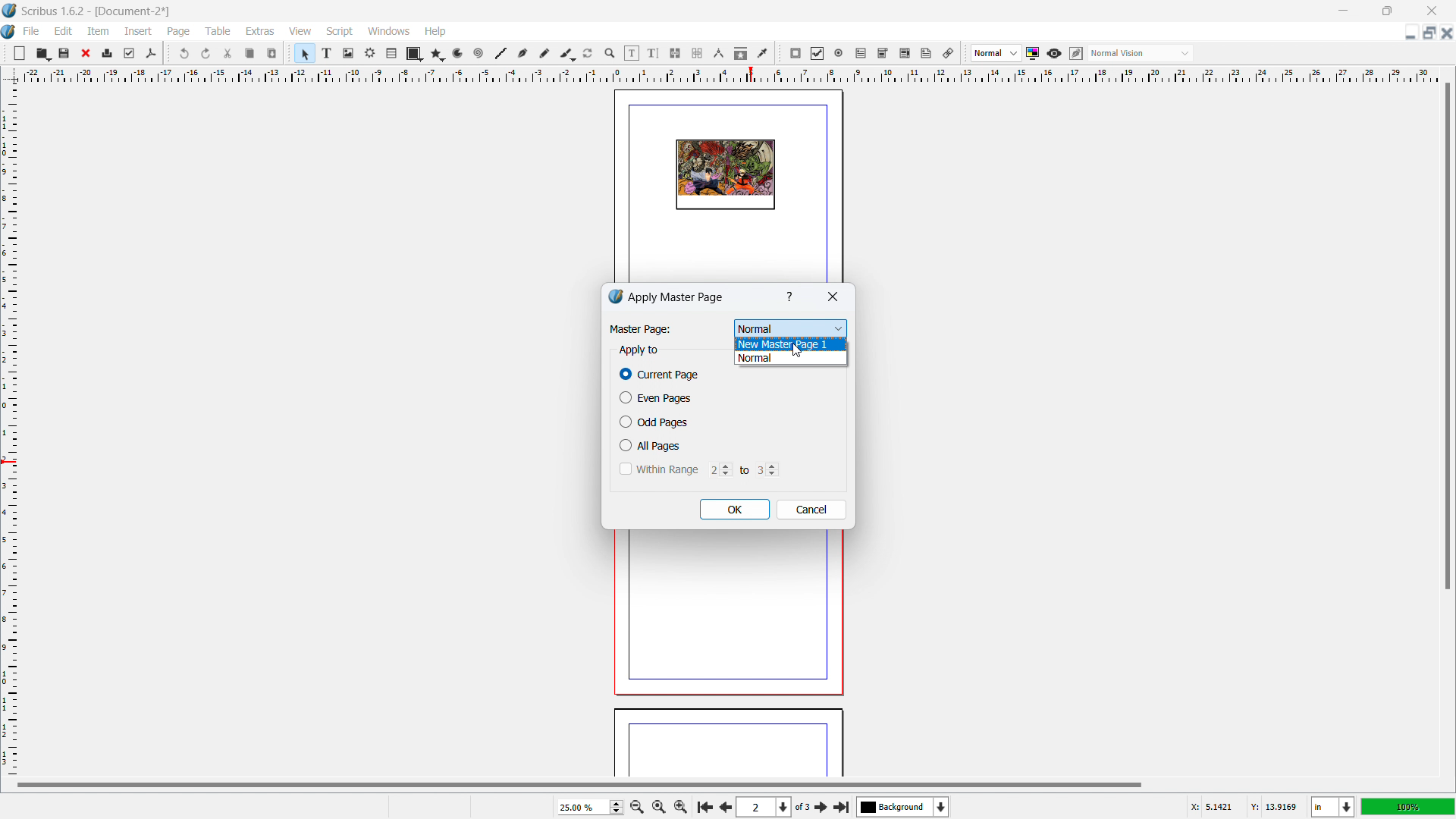 Image resolution: width=1456 pixels, height=819 pixels. What do you see at coordinates (903, 807) in the screenshot?
I see `select the current layer` at bounding box center [903, 807].